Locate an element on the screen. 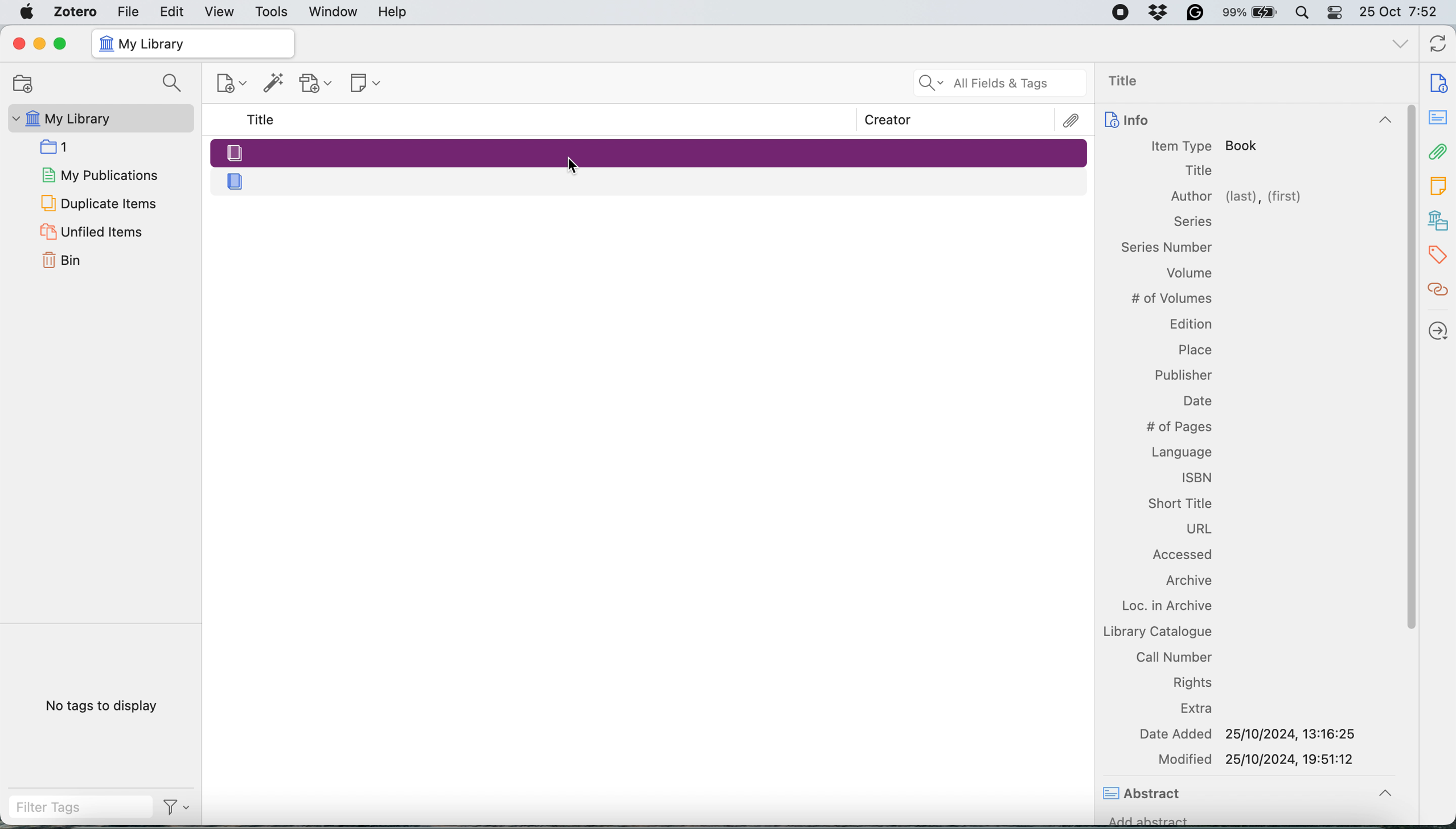  Modified 25/10/2024, 19:51:12 is located at coordinates (1258, 759).